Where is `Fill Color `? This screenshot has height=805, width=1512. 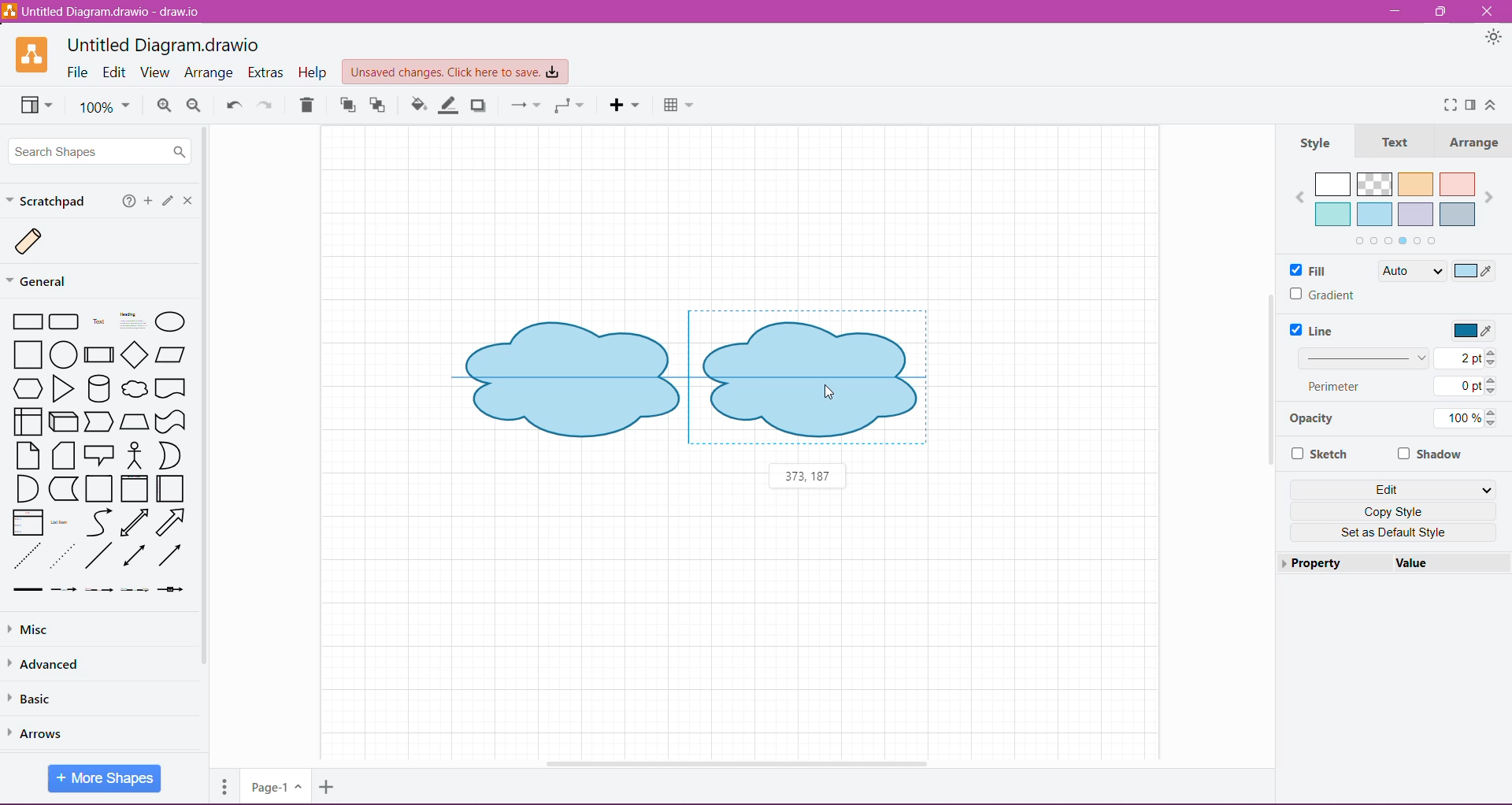
Fill Color  is located at coordinates (1313, 271).